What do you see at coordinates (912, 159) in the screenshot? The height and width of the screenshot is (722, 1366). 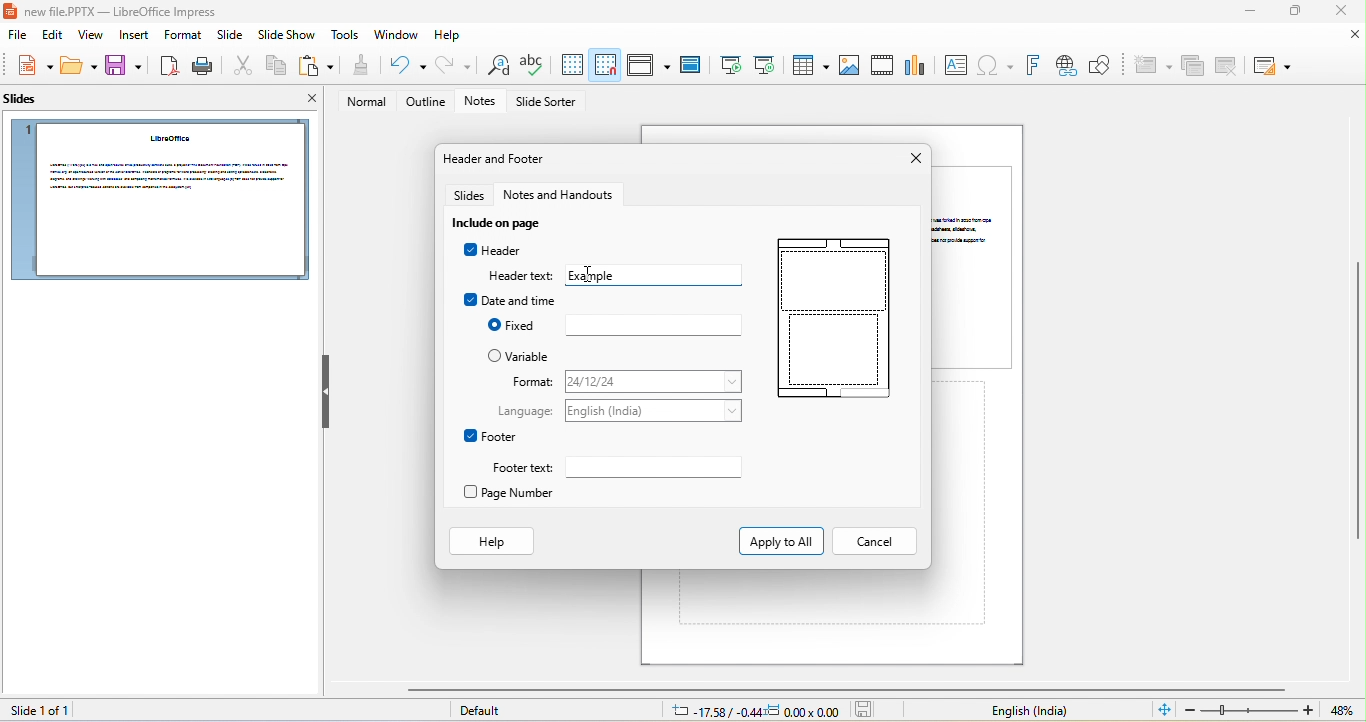 I see `close` at bounding box center [912, 159].